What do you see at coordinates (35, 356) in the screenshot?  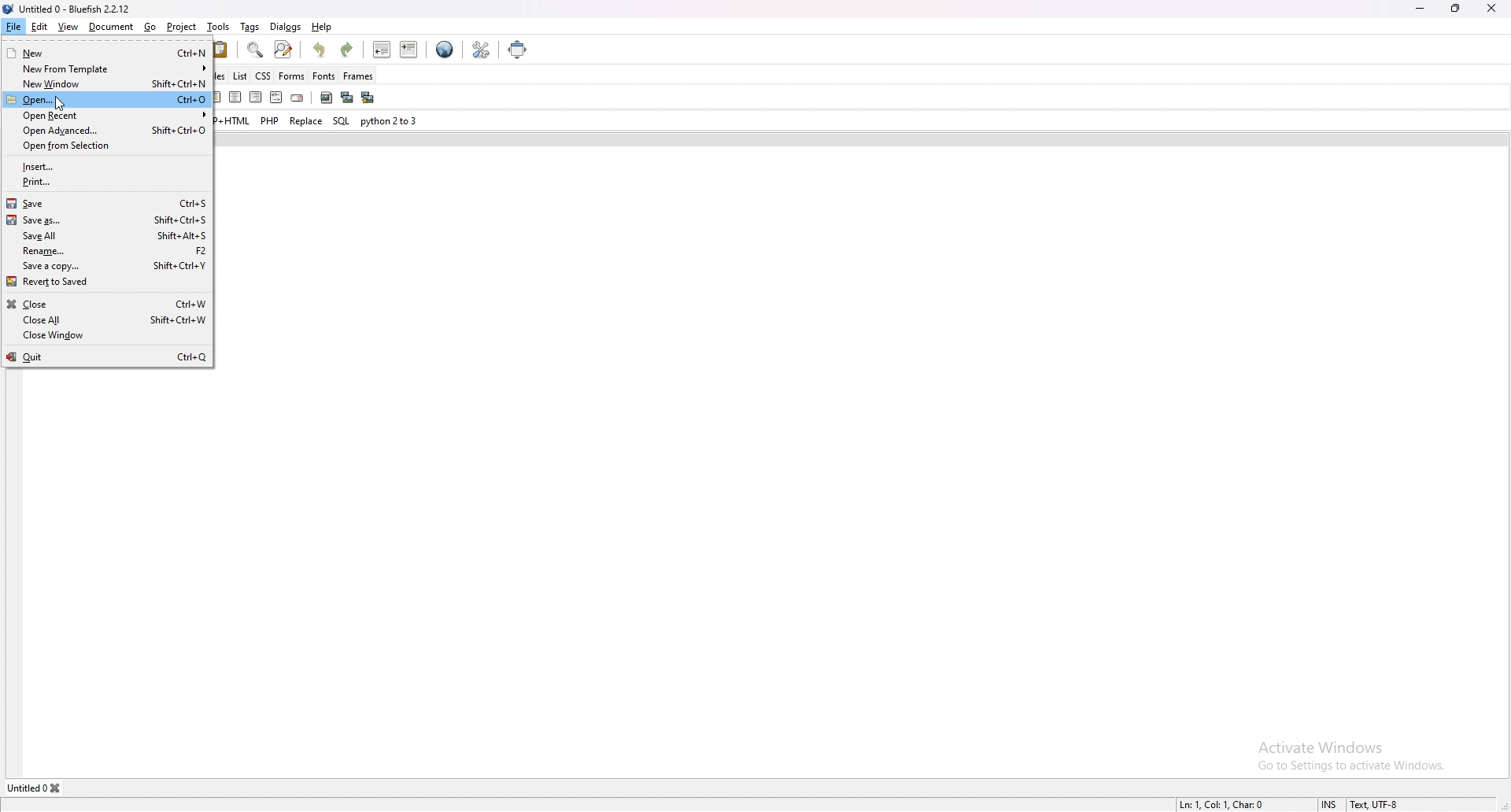 I see `quit` at bounding box center [35, 356].